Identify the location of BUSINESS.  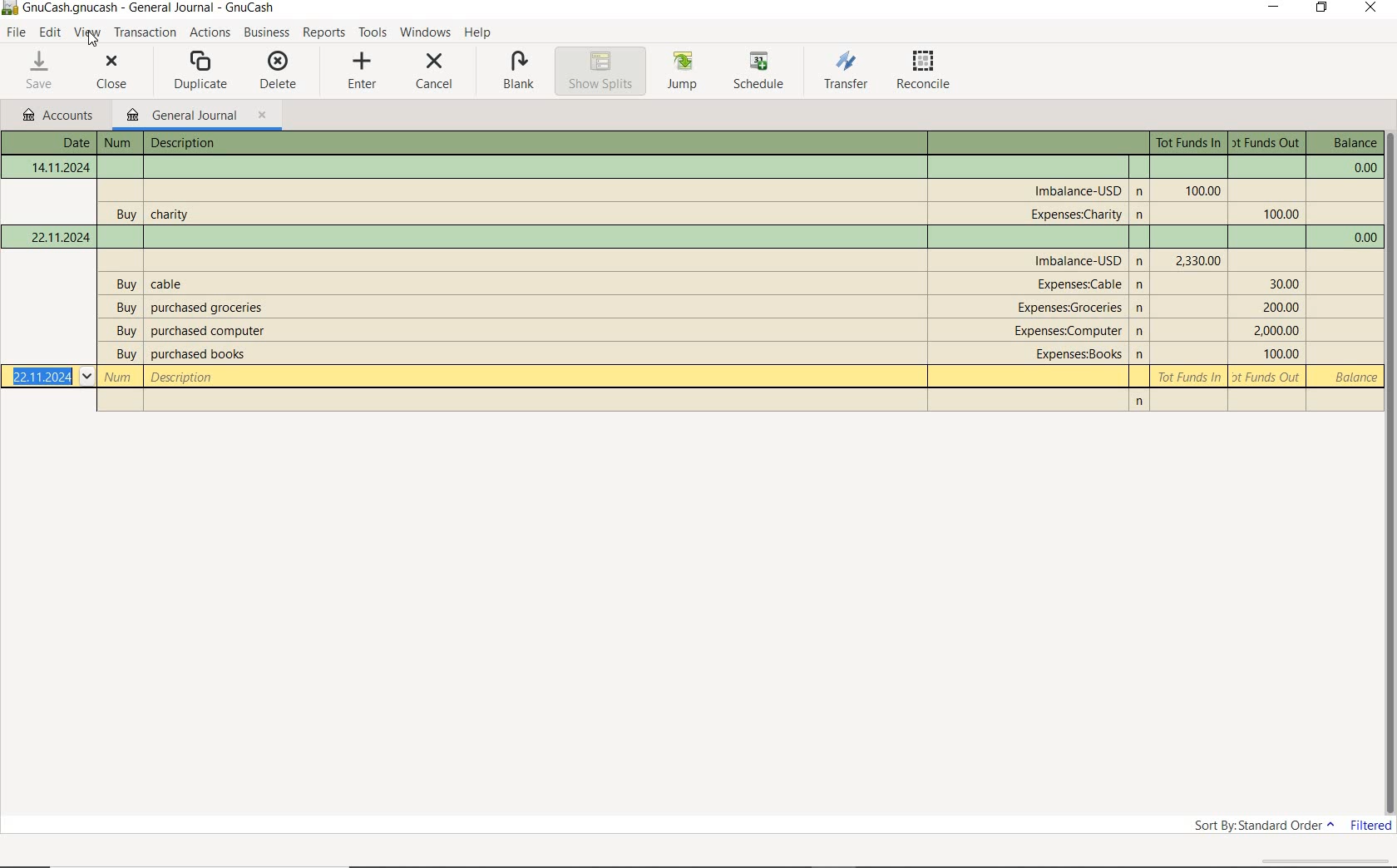
(267, 33).